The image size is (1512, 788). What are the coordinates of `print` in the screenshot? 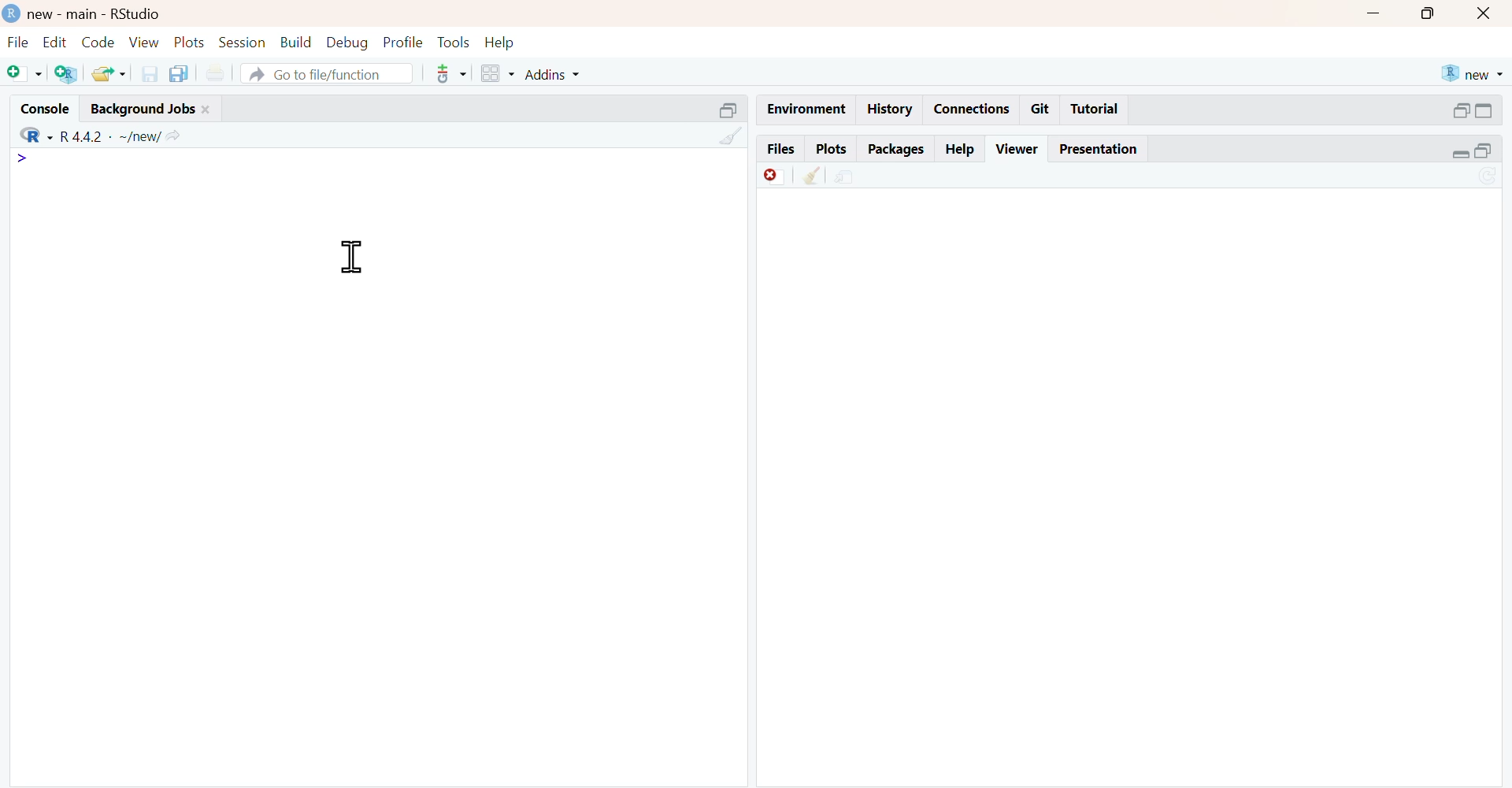 It's located at (217, 74).